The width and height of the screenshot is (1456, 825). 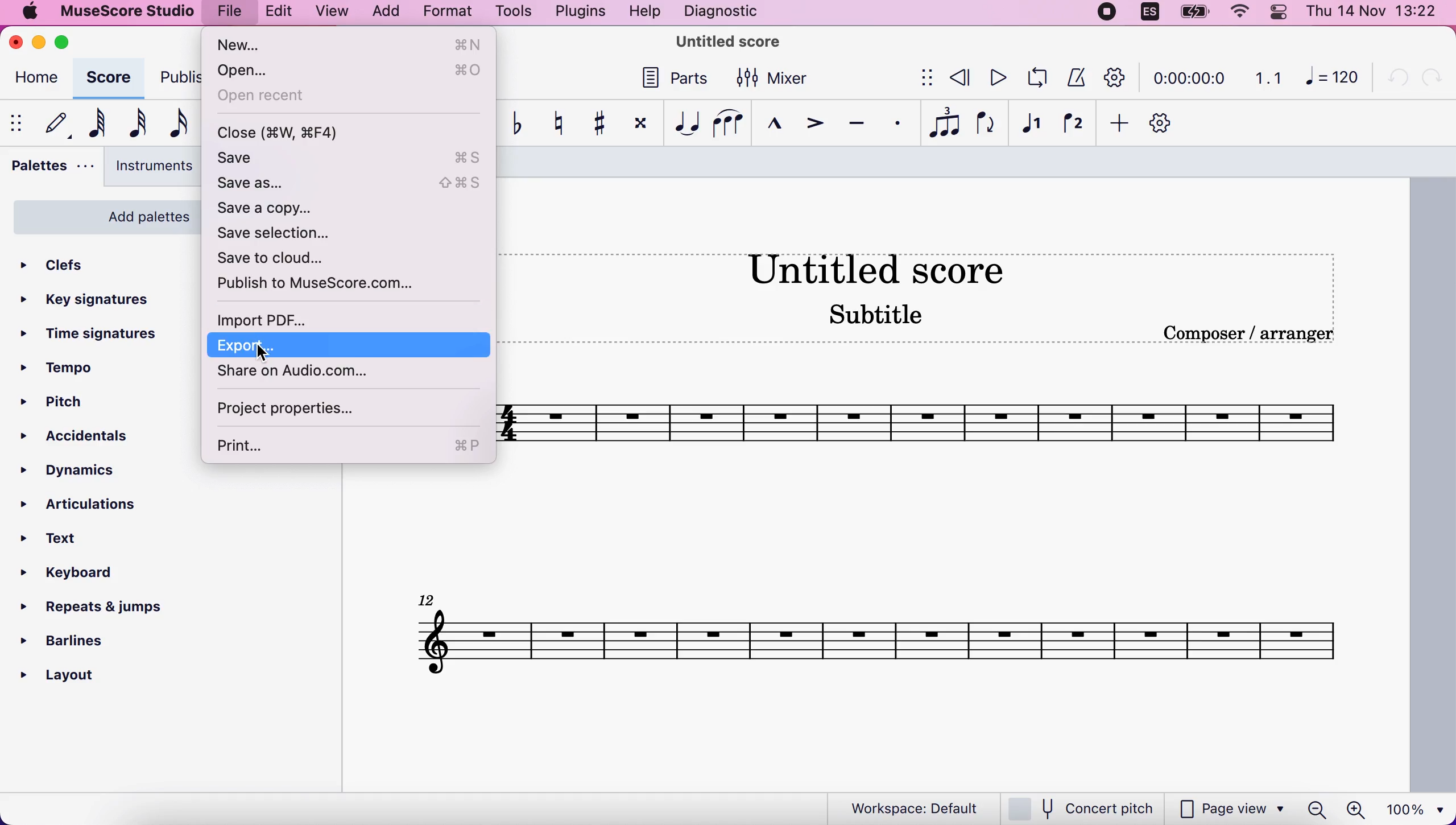 I want to click on open, so click(x=352, y=69).